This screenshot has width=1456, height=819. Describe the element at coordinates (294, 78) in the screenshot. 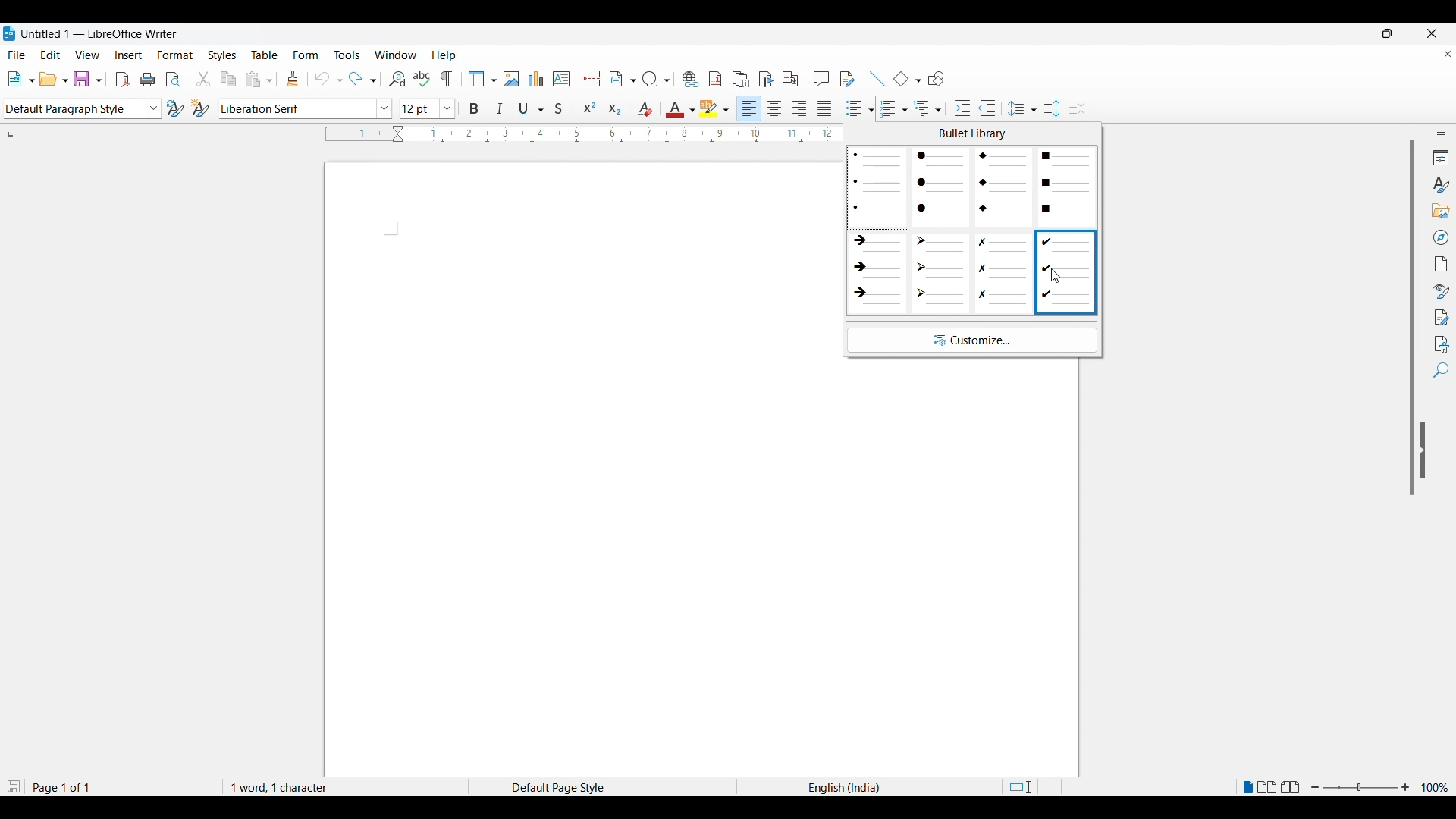

I see `clone` at that location.